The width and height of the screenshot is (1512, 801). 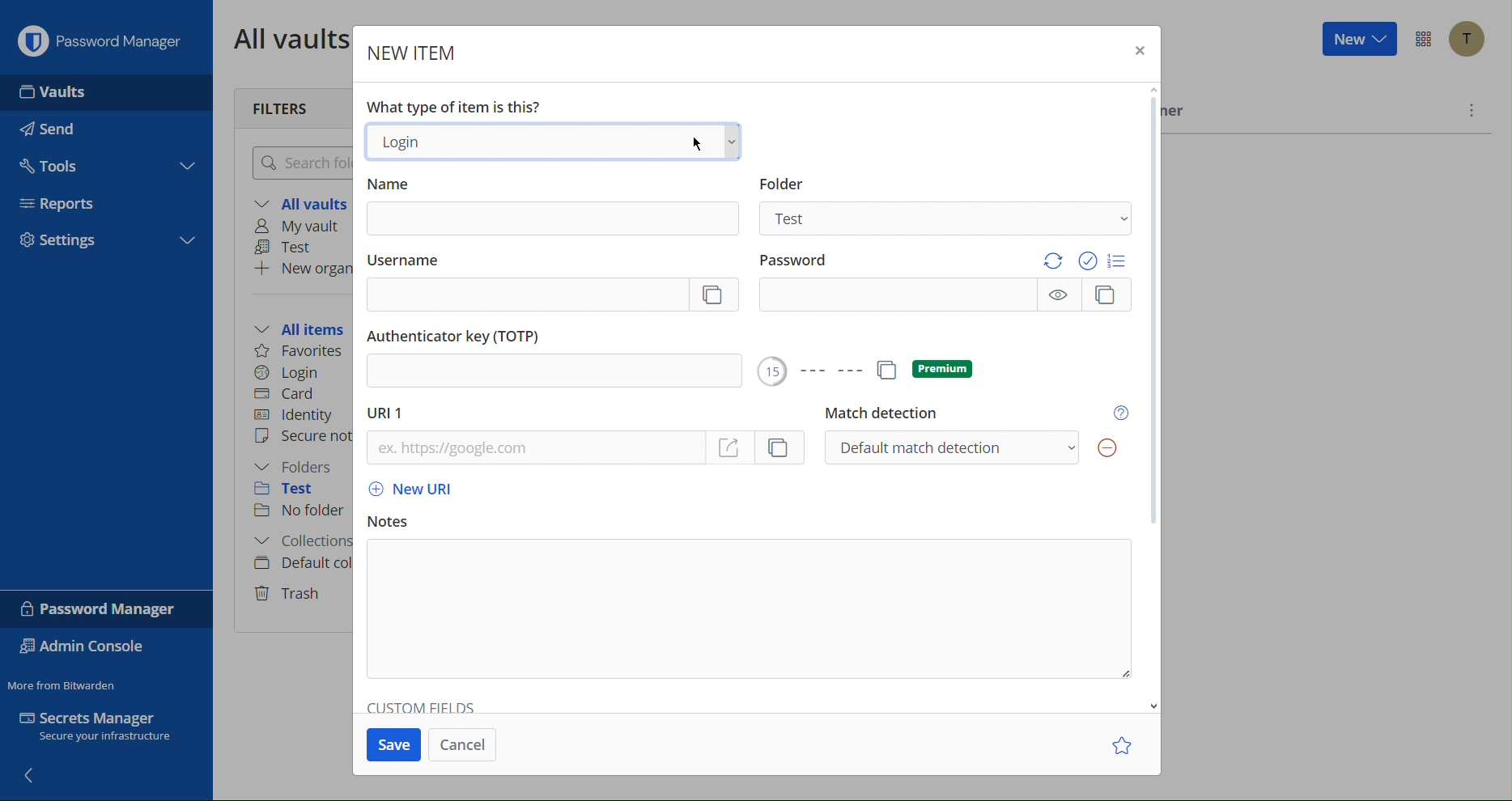 I want to click on Authenticator key, so click(x=556, y=356).